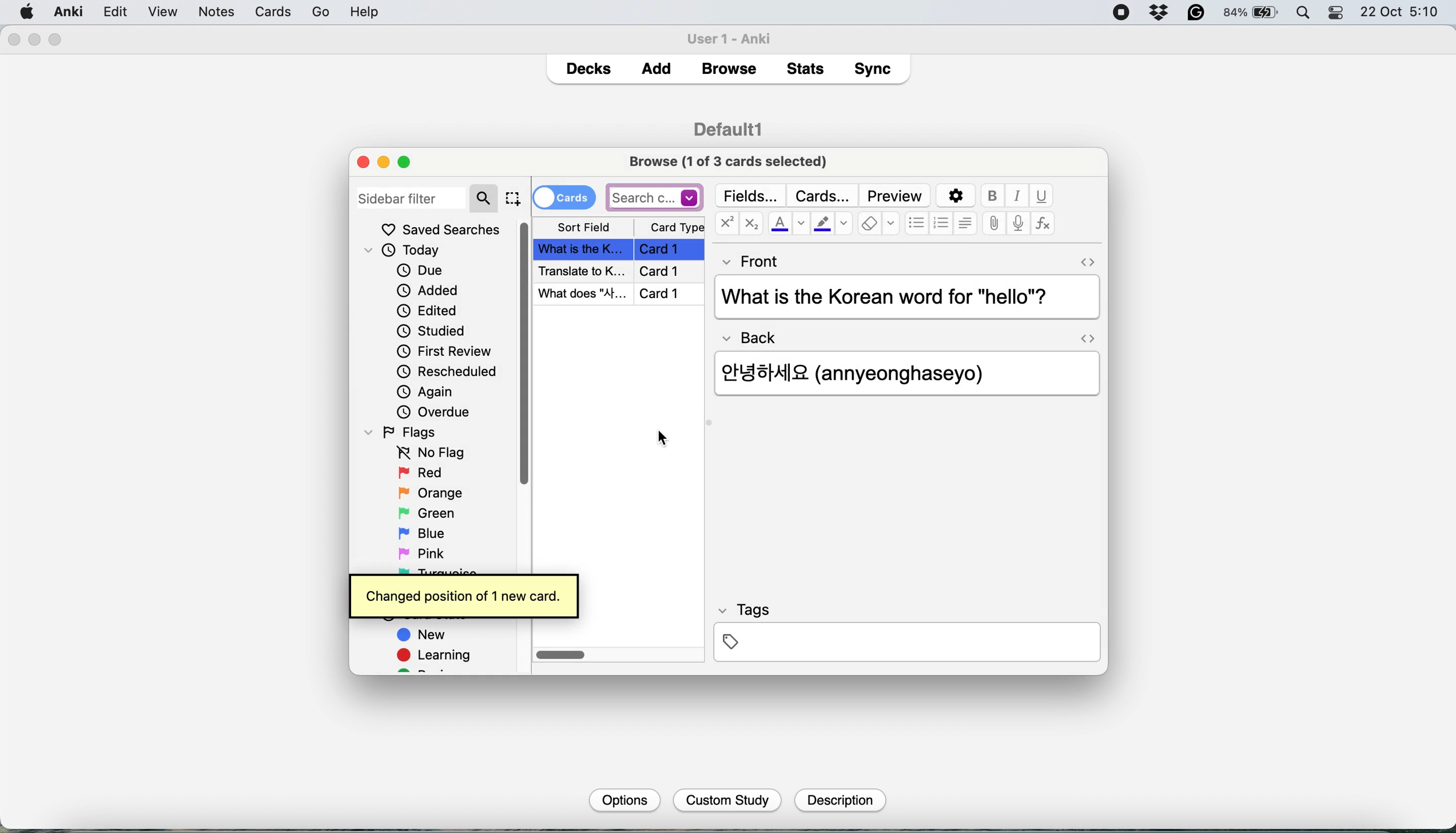 This screenshot has width=1456, height=833. Describe the element at coordinates (1197, 13) in the screenshot. I see `grammarly` at that location.